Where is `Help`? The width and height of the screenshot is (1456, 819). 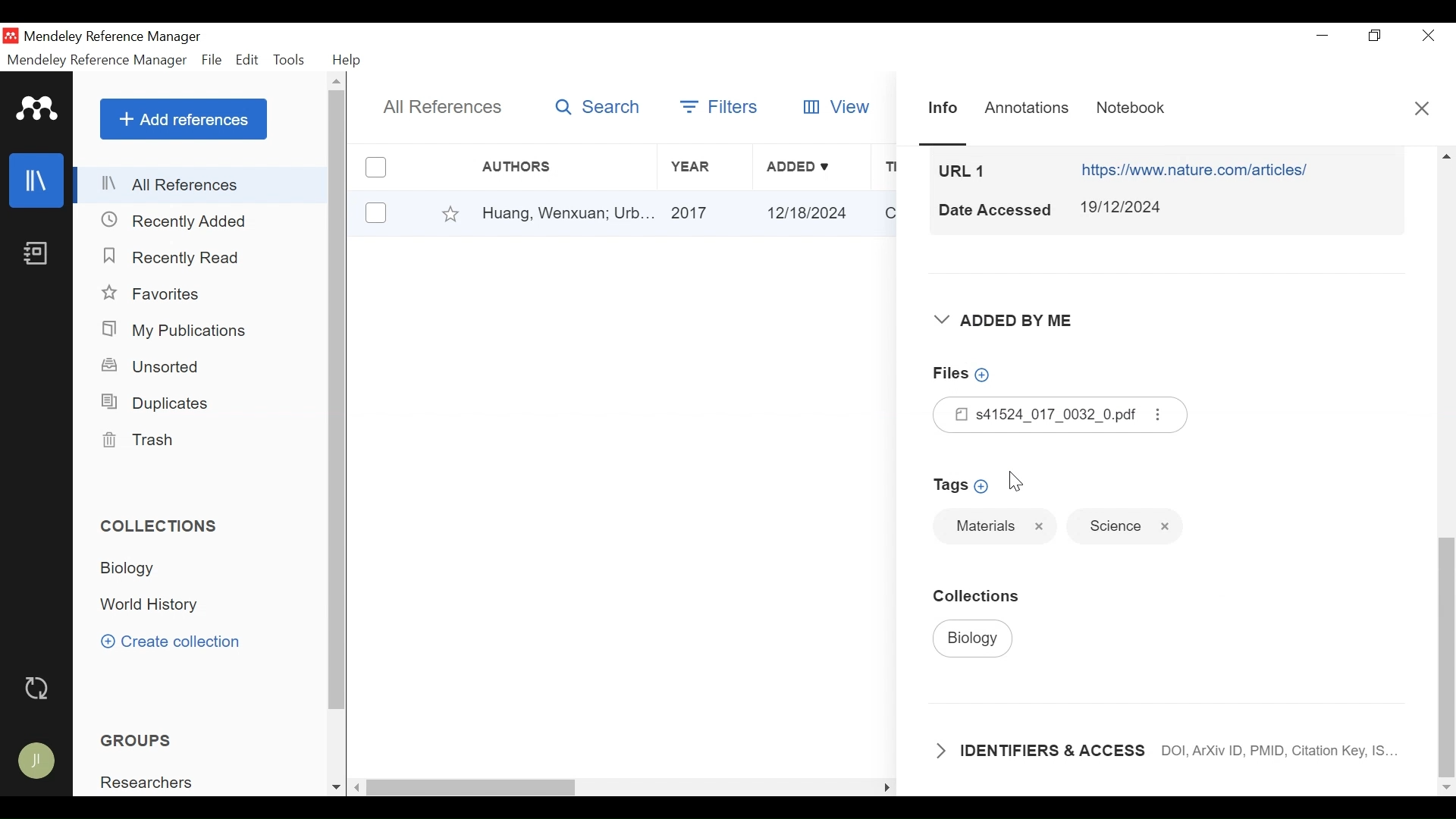 Help is located at coordinates (349, 60).